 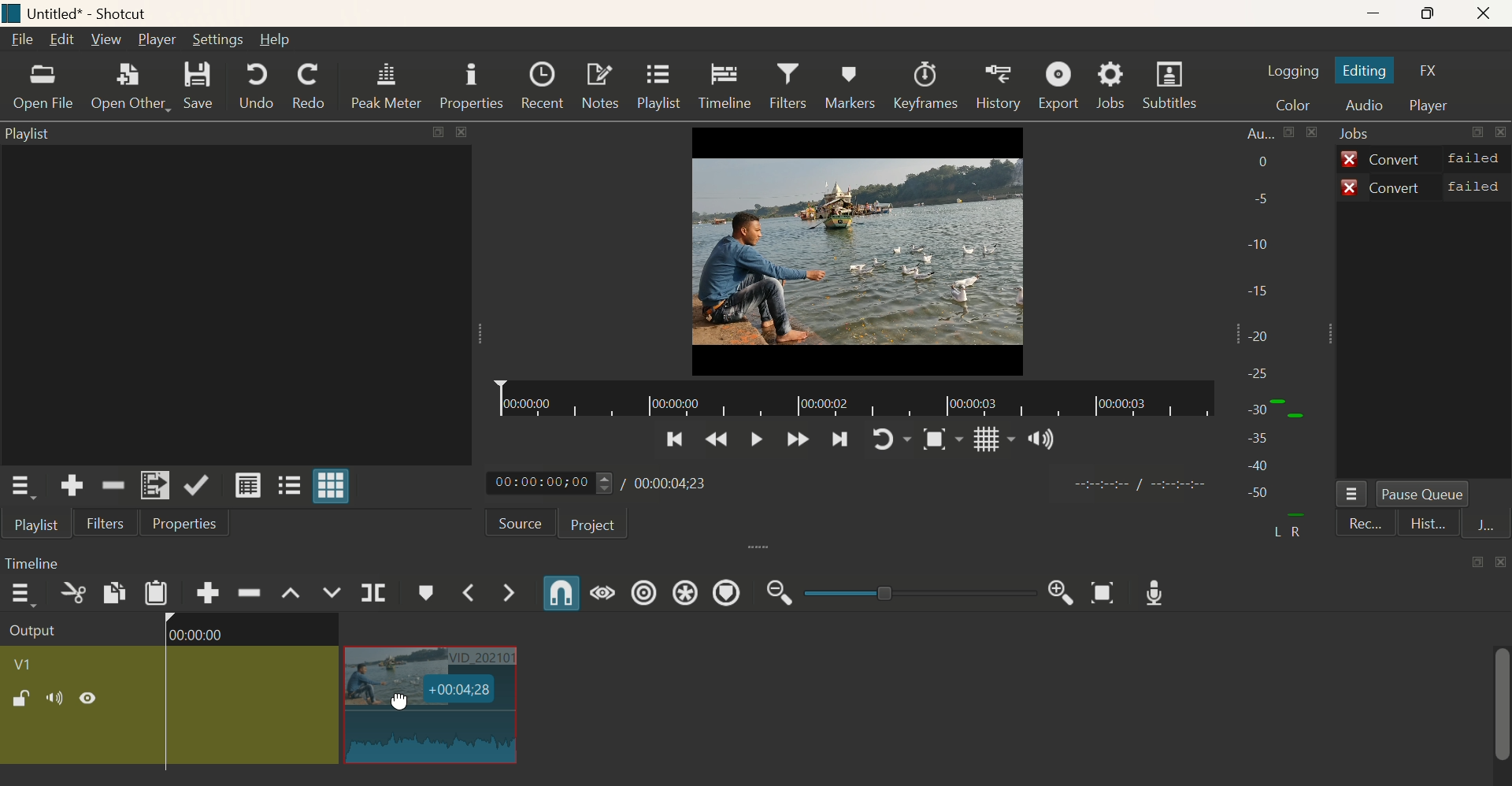 What do you see at coordinates (859, 250) in the screenshot?
I see `Video` at bounding box center [859, 250].